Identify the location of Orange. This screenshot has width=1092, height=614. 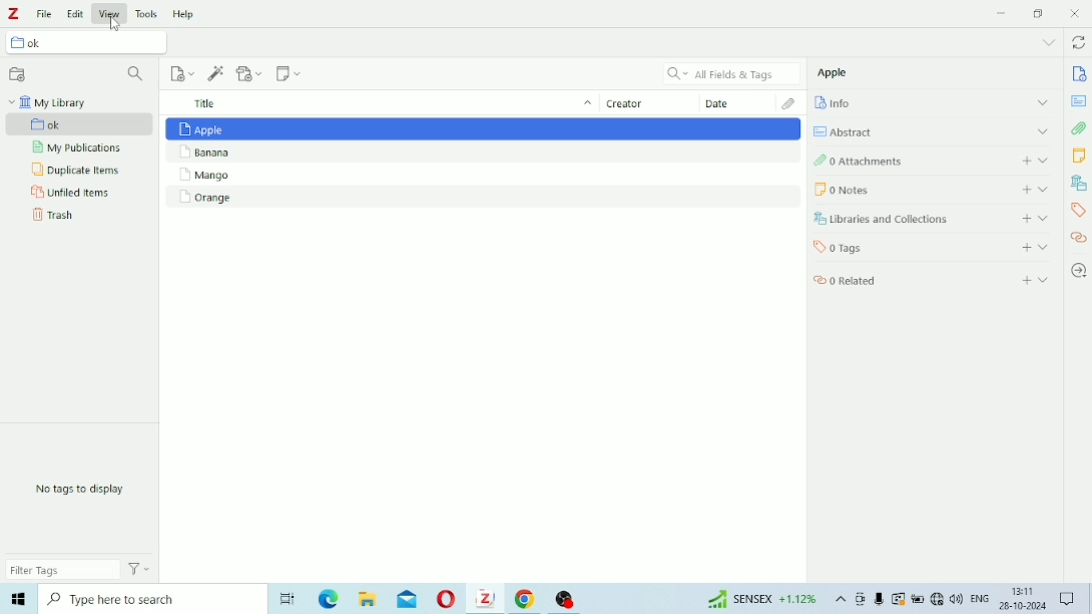
(482, 198).